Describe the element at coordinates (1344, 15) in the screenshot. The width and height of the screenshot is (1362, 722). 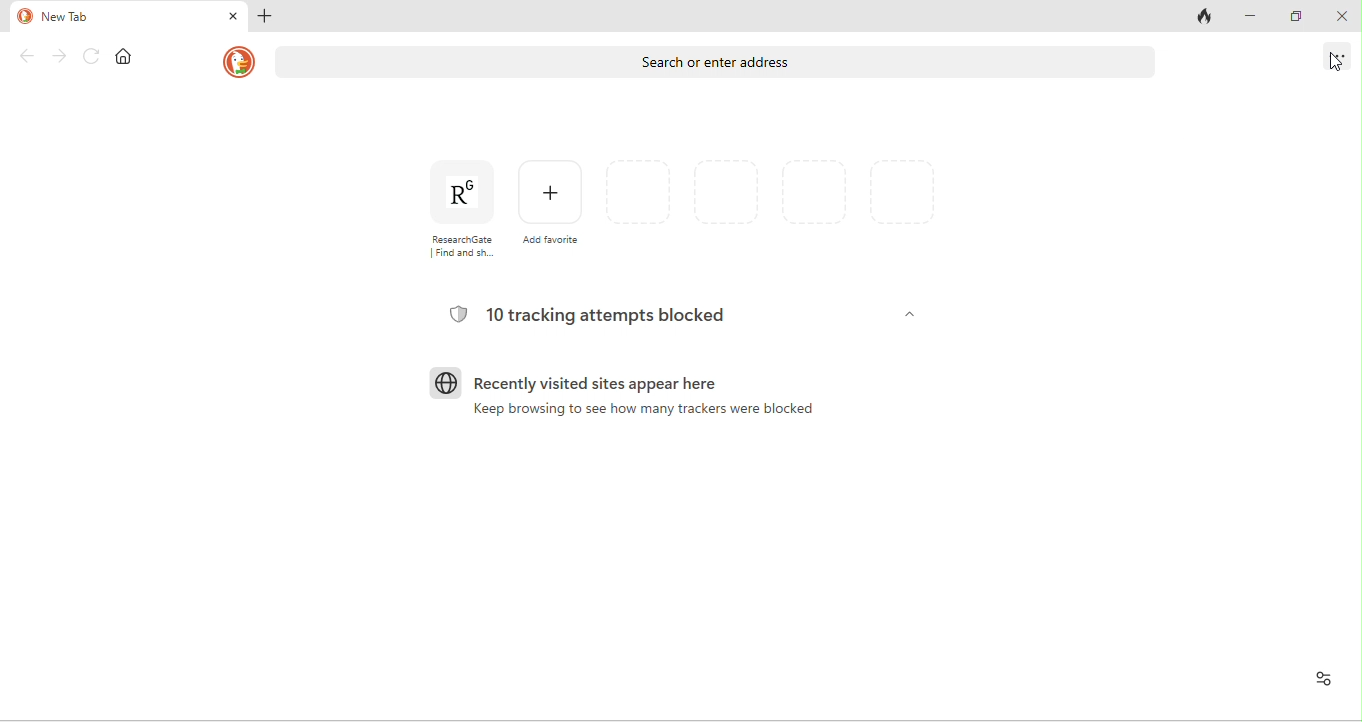
I see `close` at that location.